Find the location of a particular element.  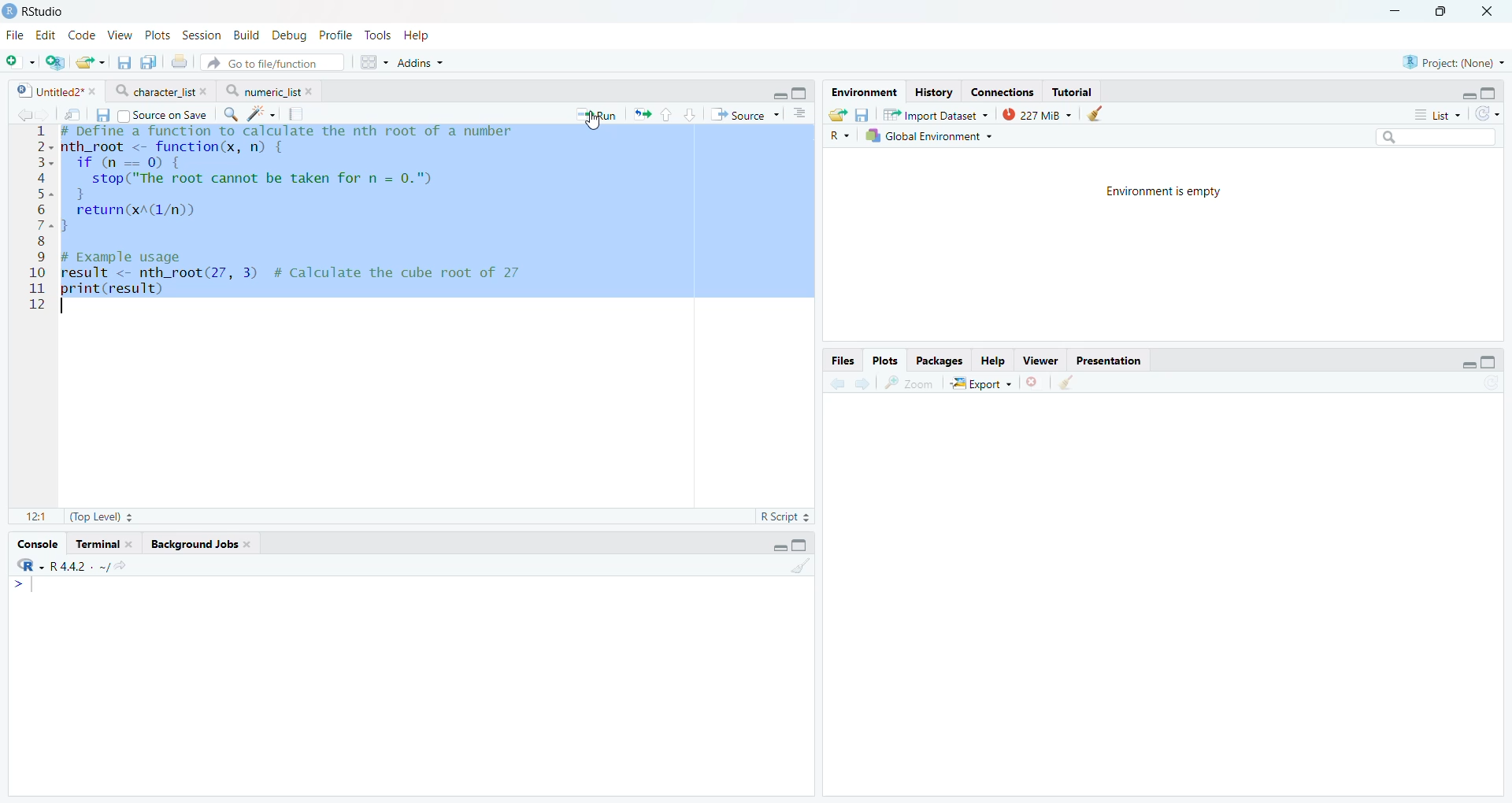

Build is located at coordinates (248, 35).